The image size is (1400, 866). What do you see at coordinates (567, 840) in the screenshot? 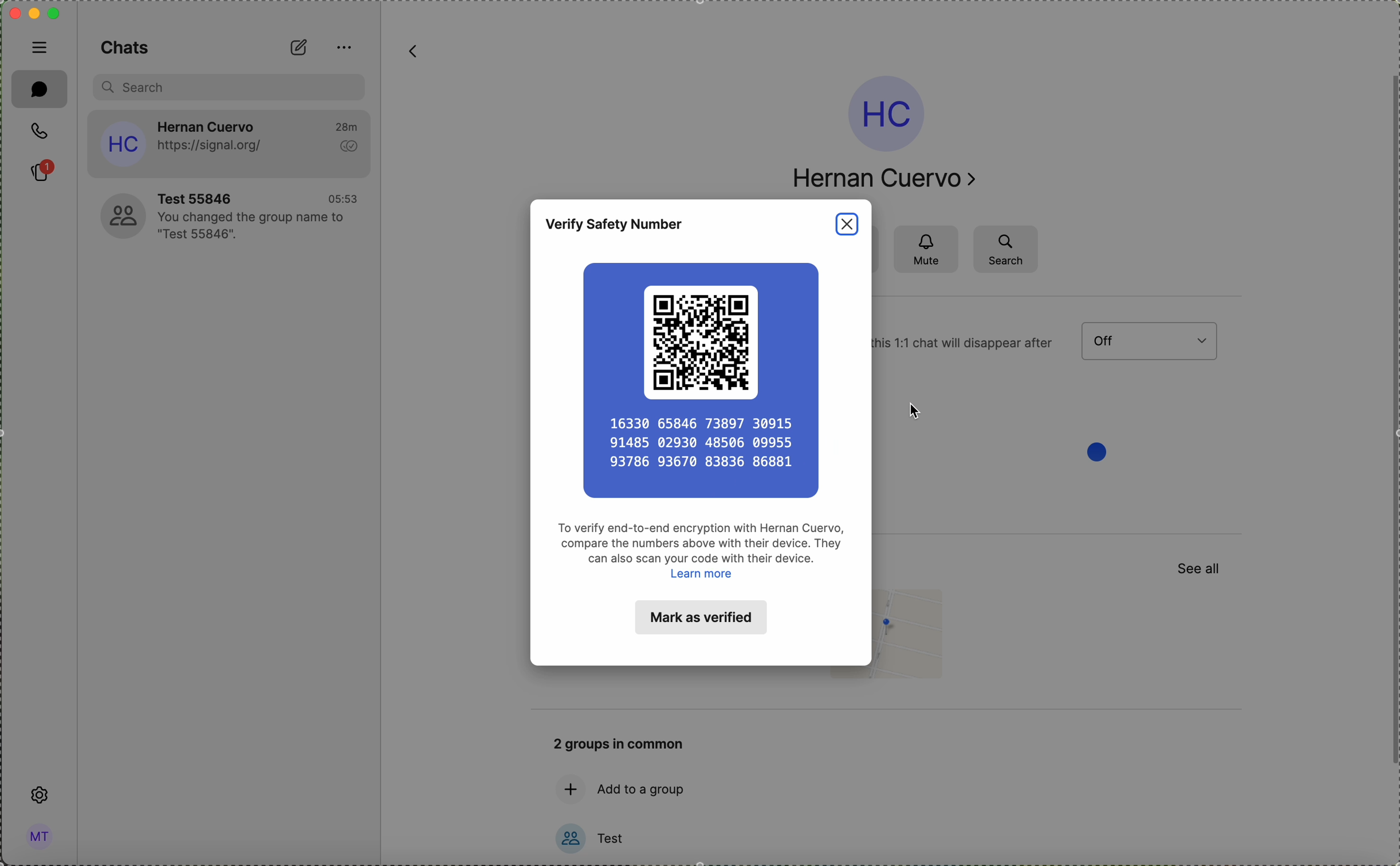
I see `profile` at bounding box center [567, 840].